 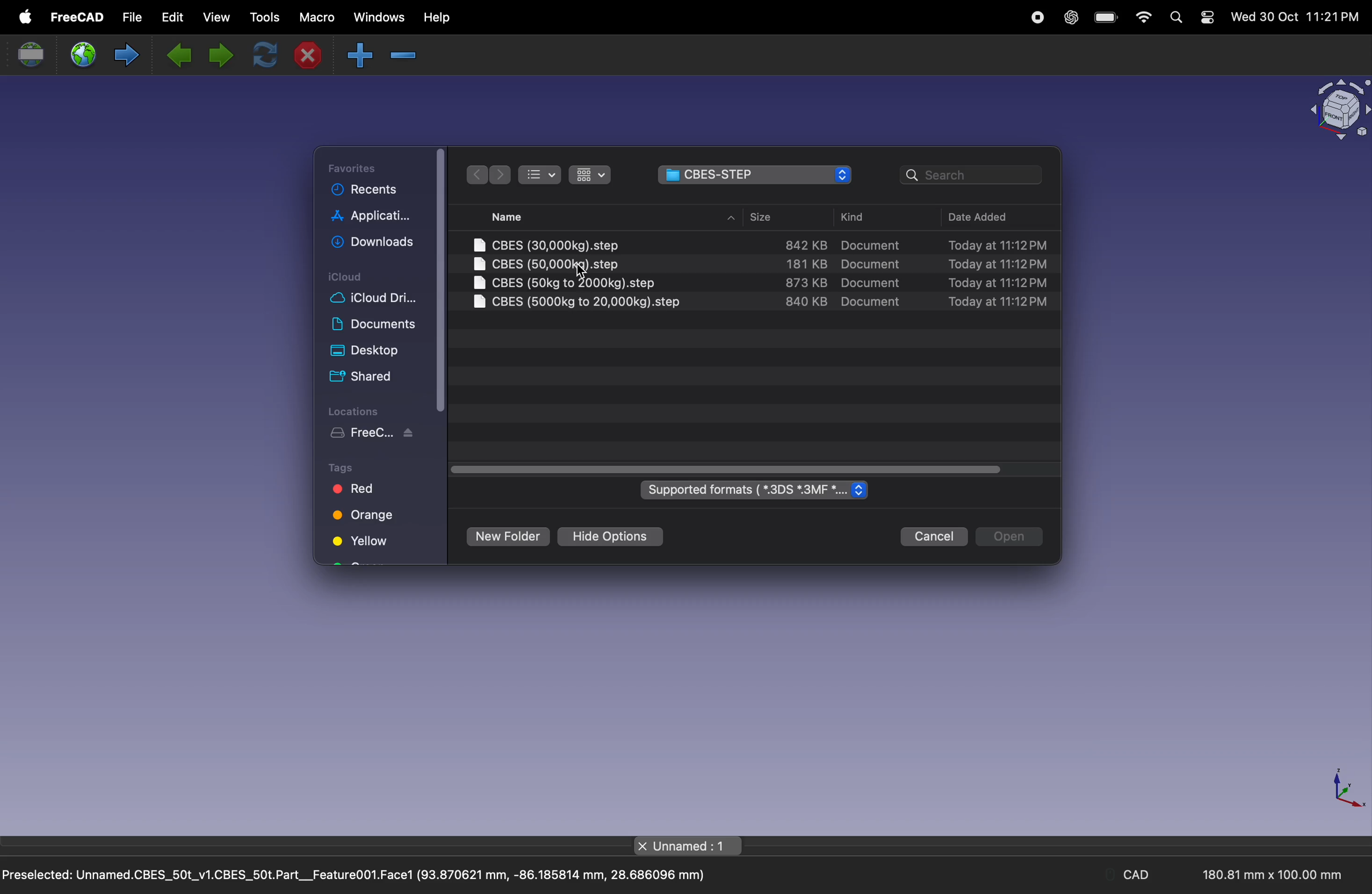 I want to click on date, so click(x=993, y=218).